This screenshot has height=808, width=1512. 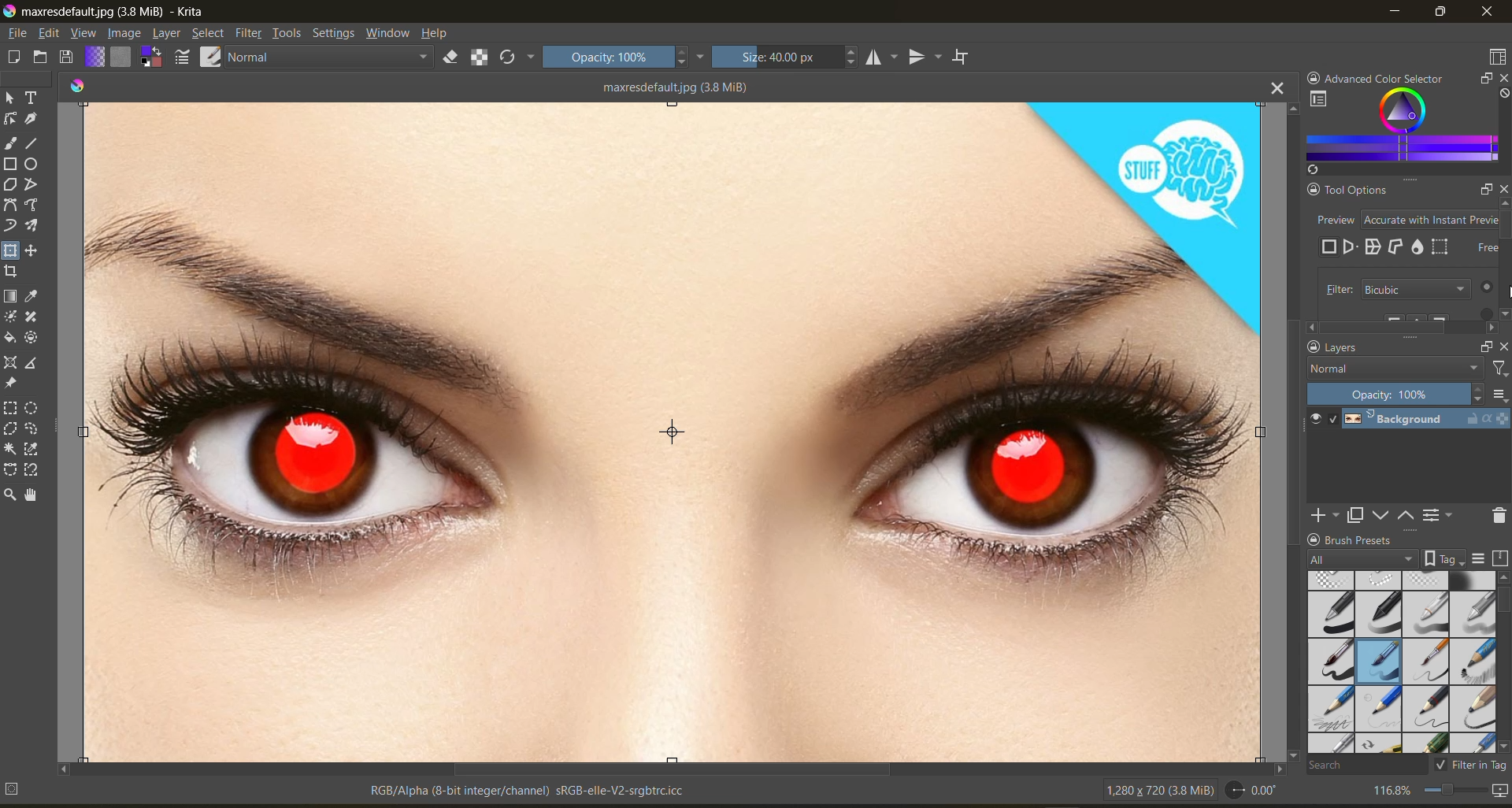 I want to click on app name and file name, so click(x=112, y=13).